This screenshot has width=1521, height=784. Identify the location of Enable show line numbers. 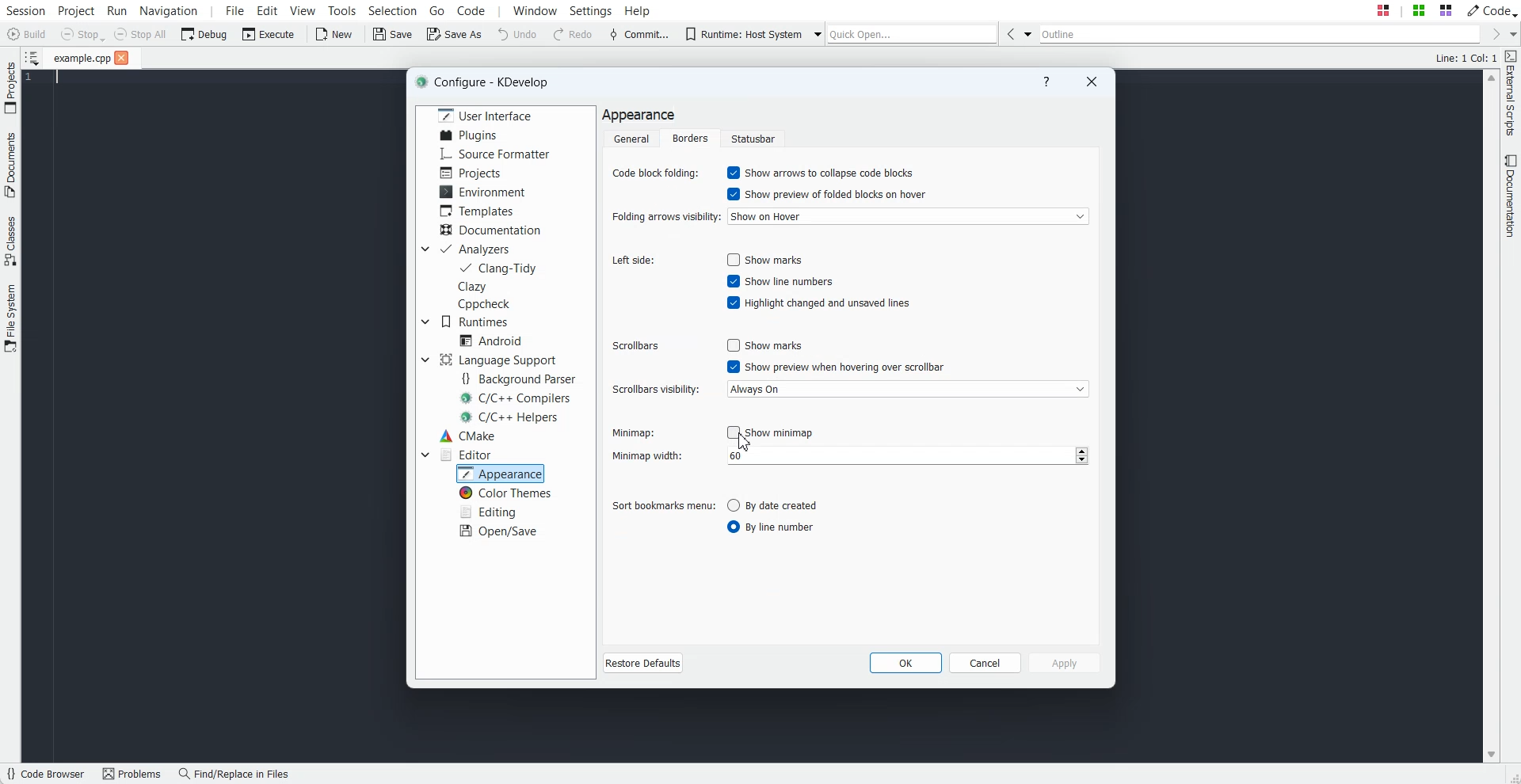
(780, 280).